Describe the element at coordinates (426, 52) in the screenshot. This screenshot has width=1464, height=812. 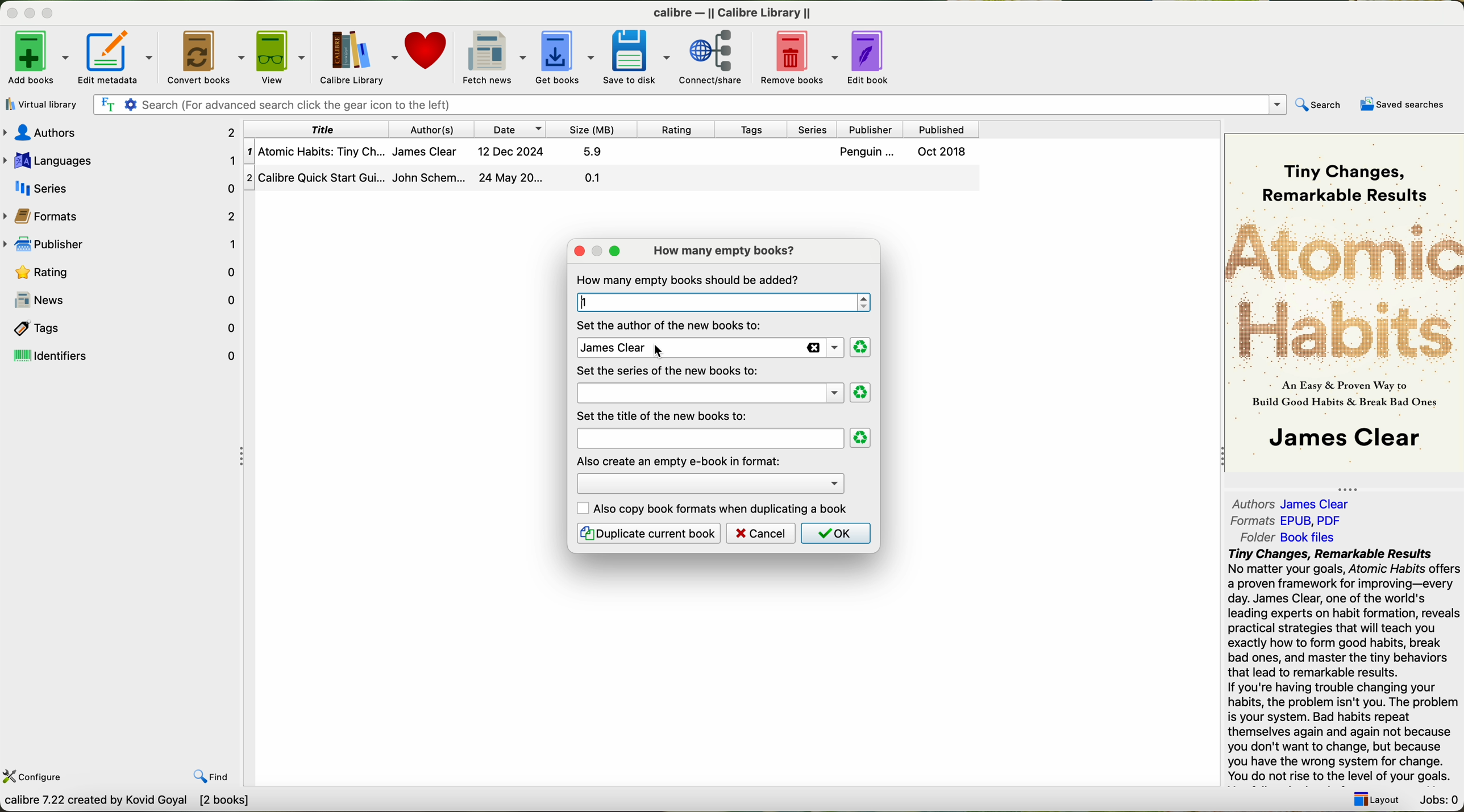
I see `donate` at that location.